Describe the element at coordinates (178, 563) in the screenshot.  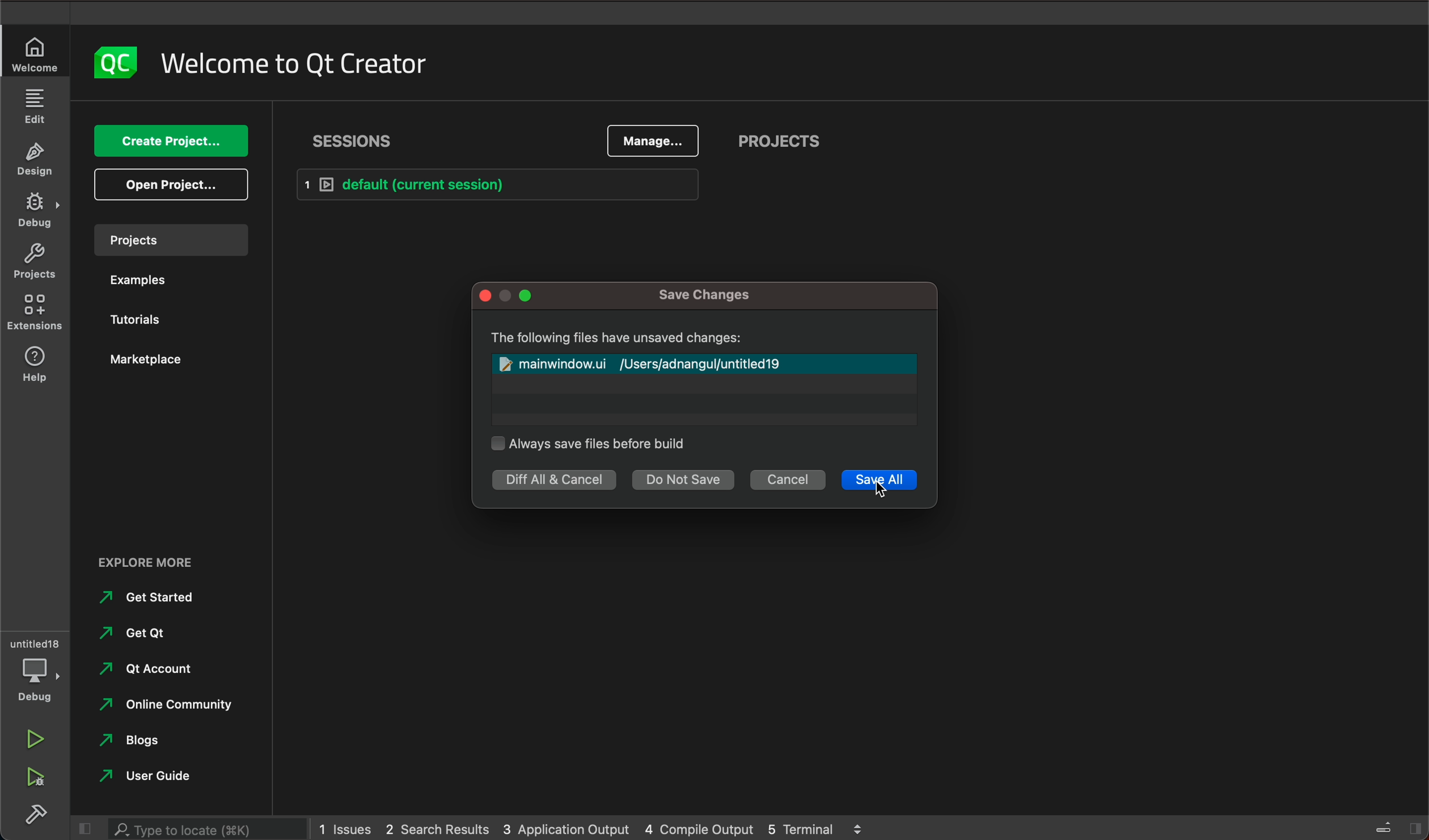
I see `external links` at that location.